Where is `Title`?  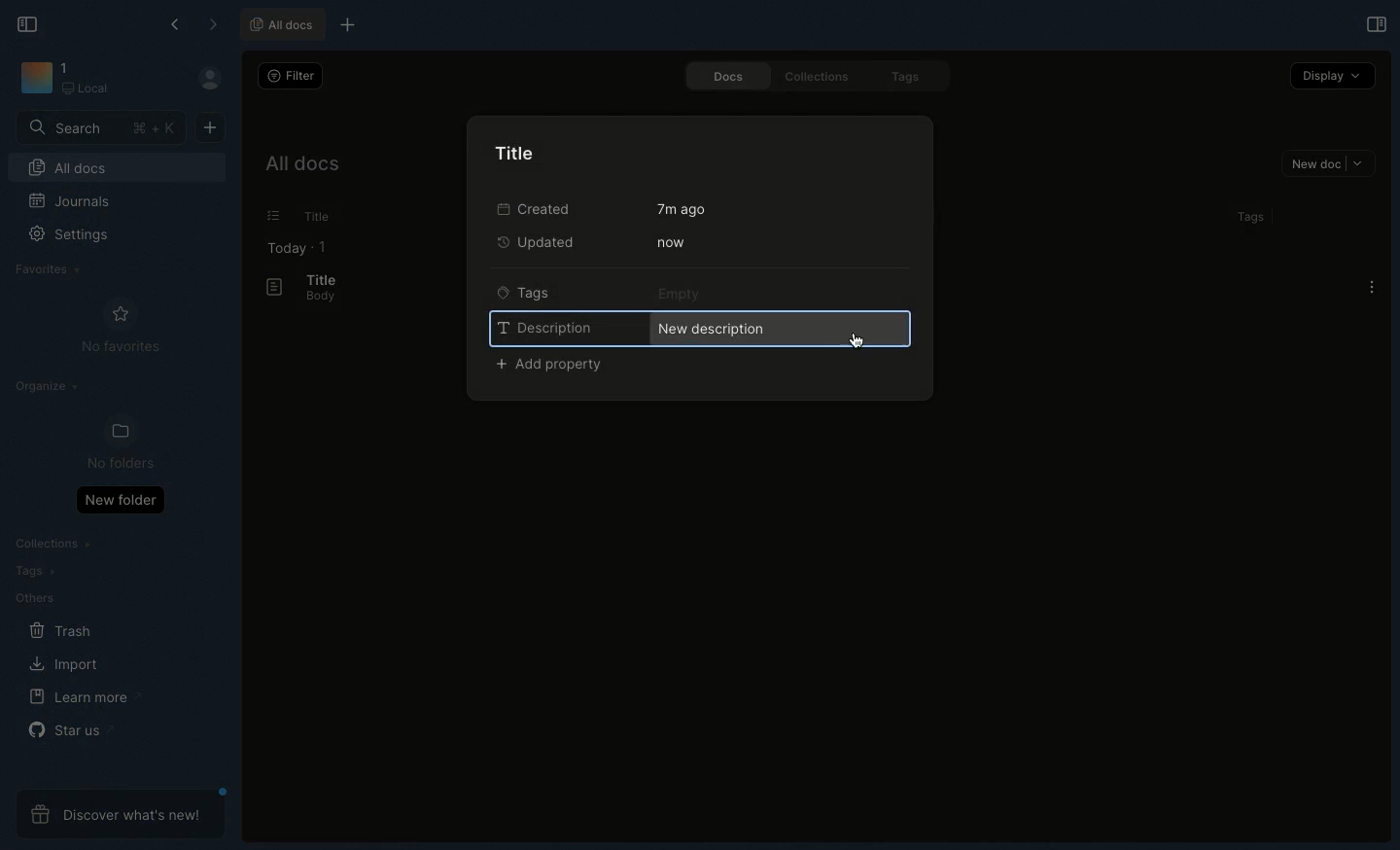 Title is located at coordinates (520, 152).